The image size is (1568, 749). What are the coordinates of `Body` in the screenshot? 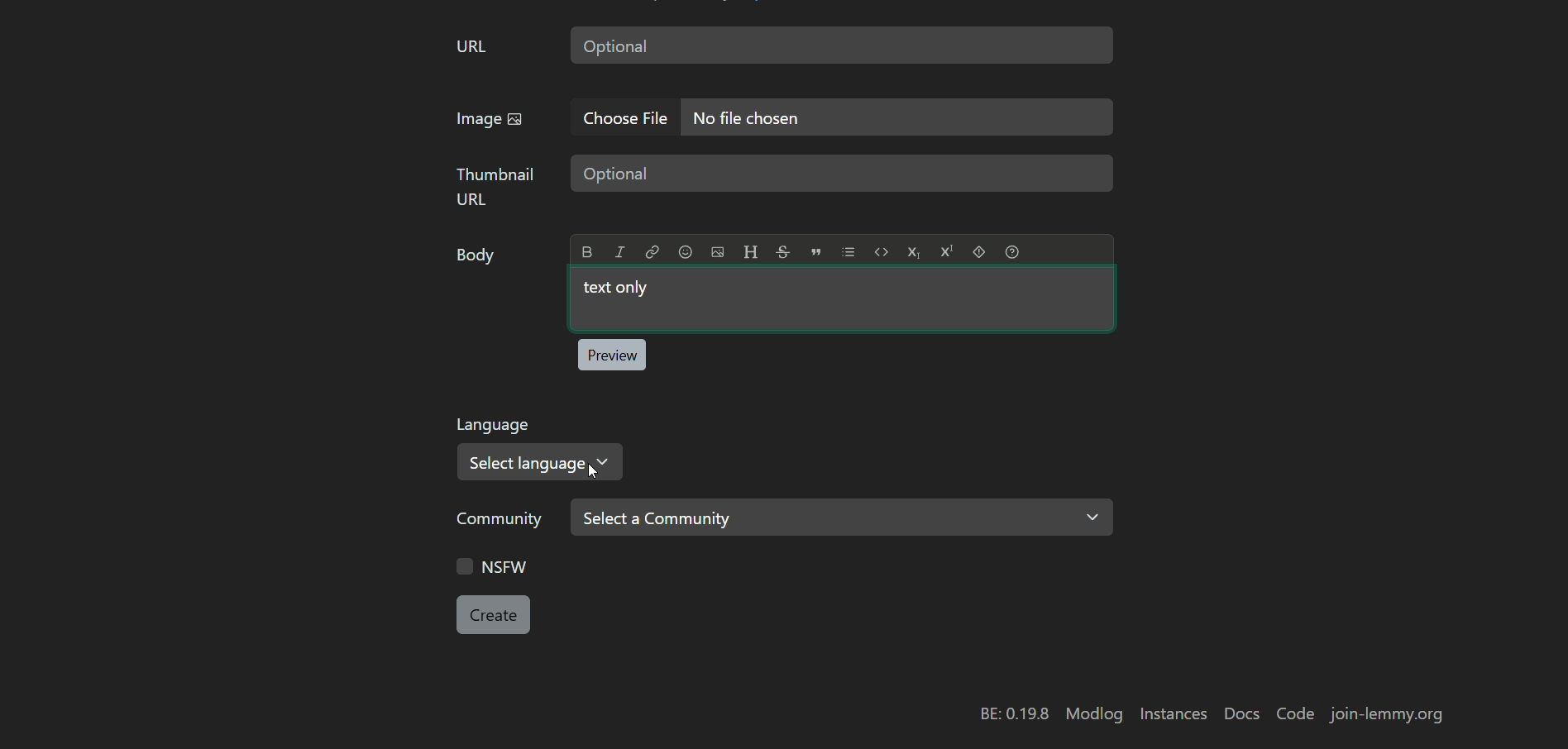 It's located at (478, 259).